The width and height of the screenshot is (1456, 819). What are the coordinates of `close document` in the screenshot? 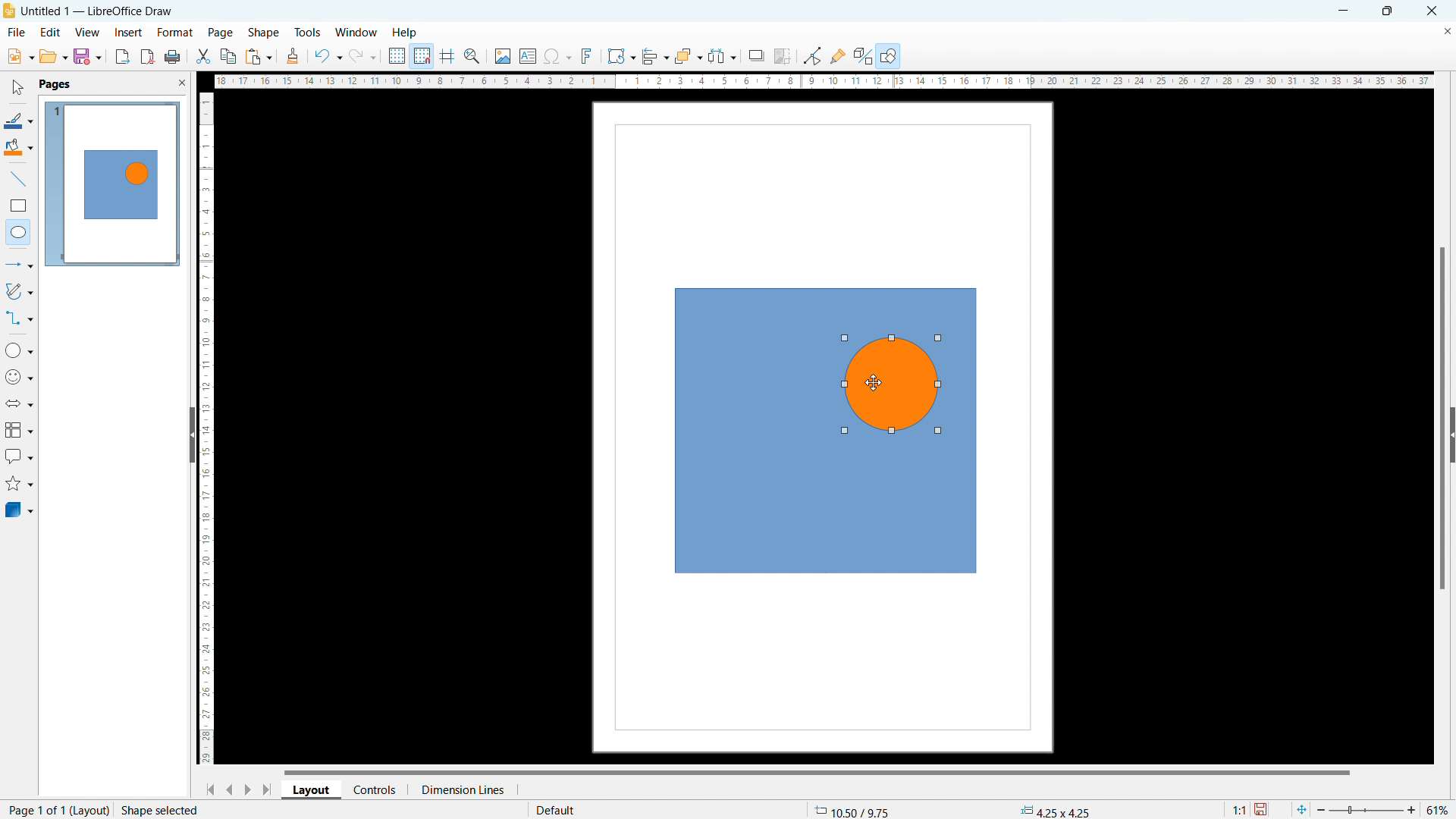 It's located at (1447, 30).